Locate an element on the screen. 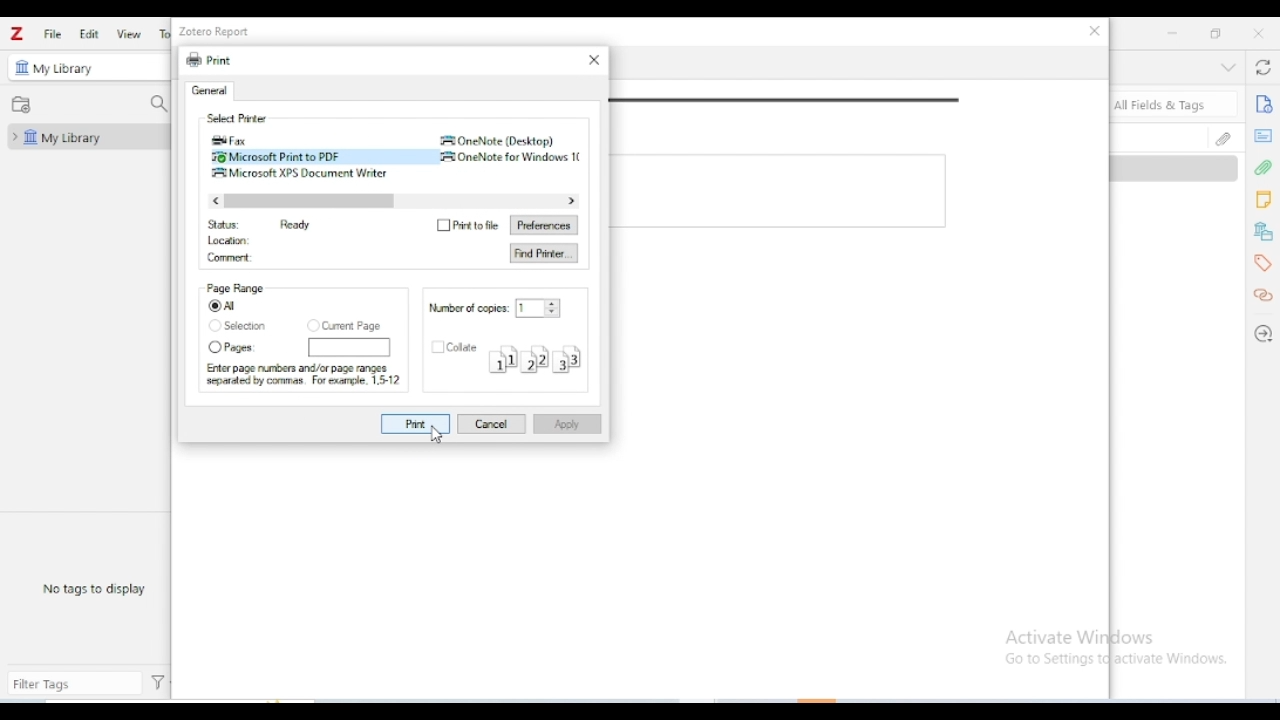 The image size is (1280, 720). apply is located at coordinates (568, 425).